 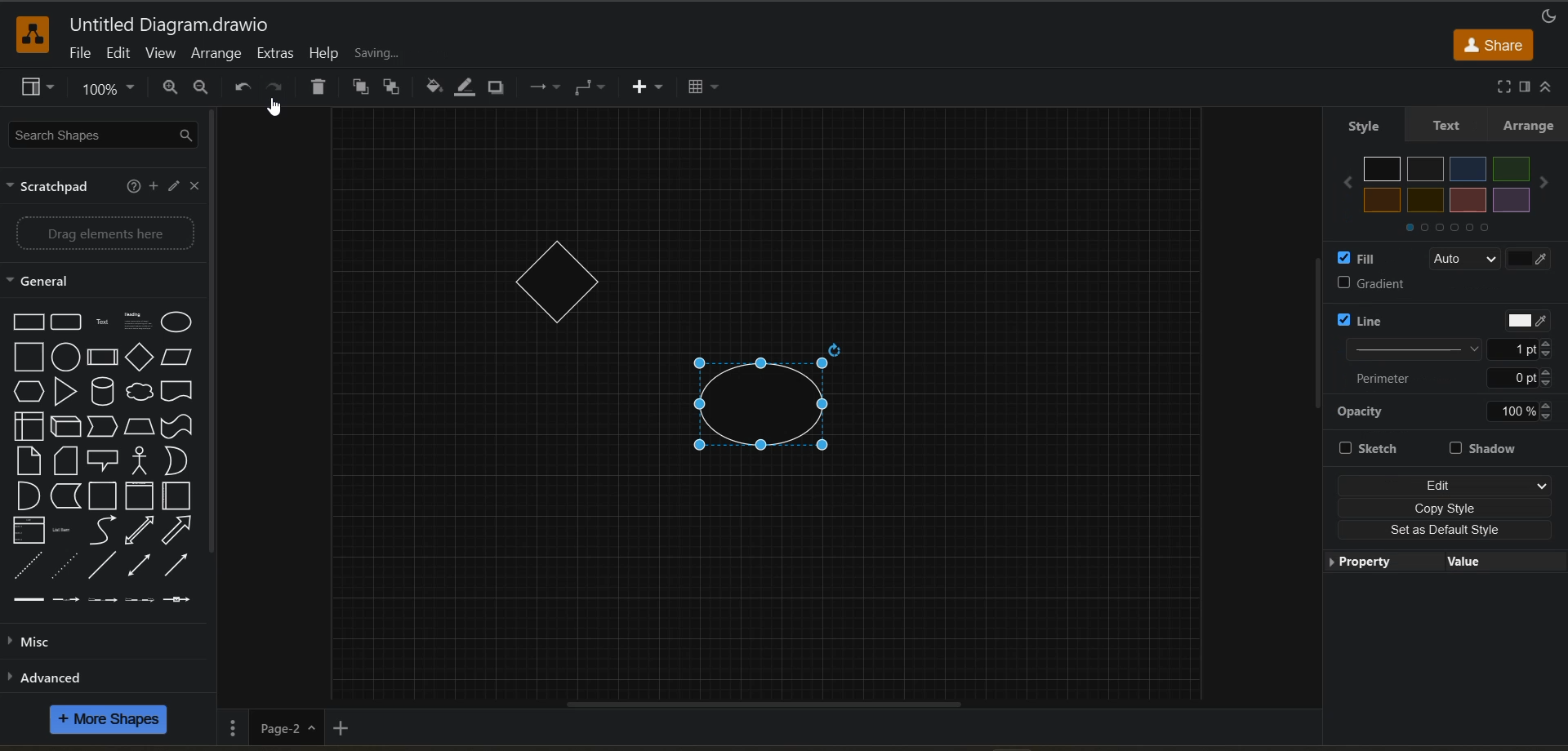 I want to click on scratchpad, so click(x=49, y=187).